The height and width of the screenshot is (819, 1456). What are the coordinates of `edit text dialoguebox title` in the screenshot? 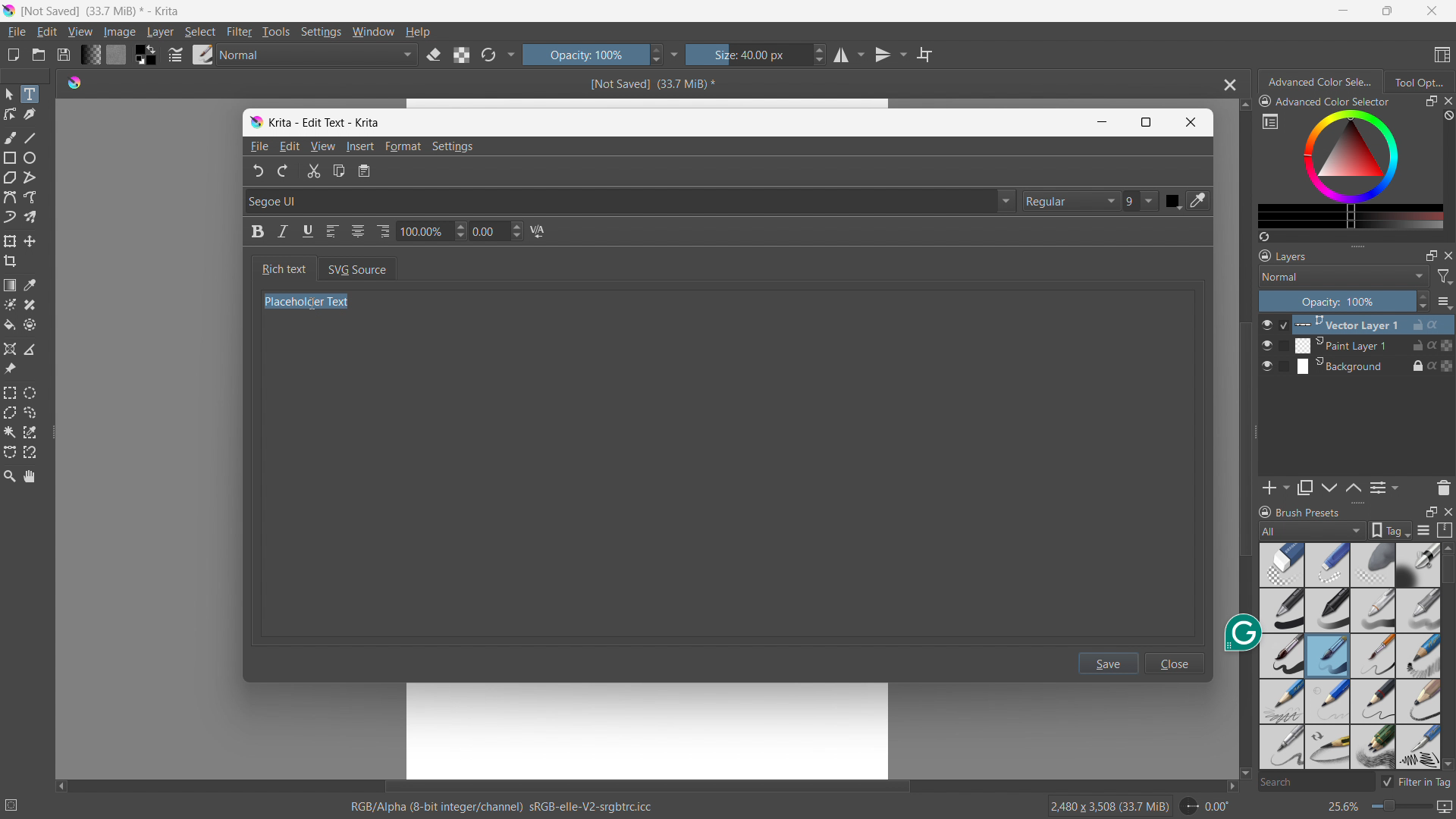 It's located at (325, 122).